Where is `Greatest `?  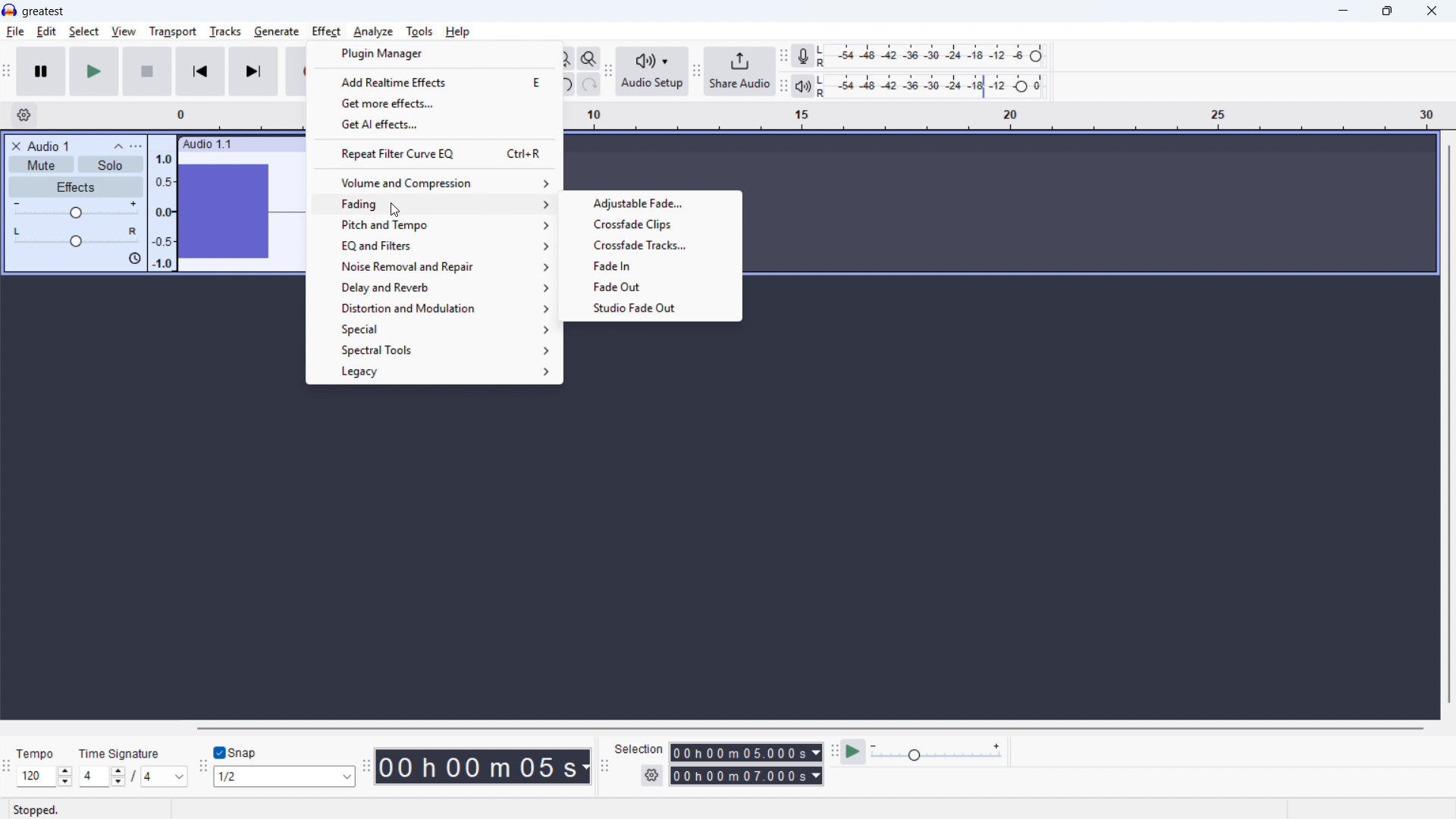 Greatest  is located at coordinates (42, 12).